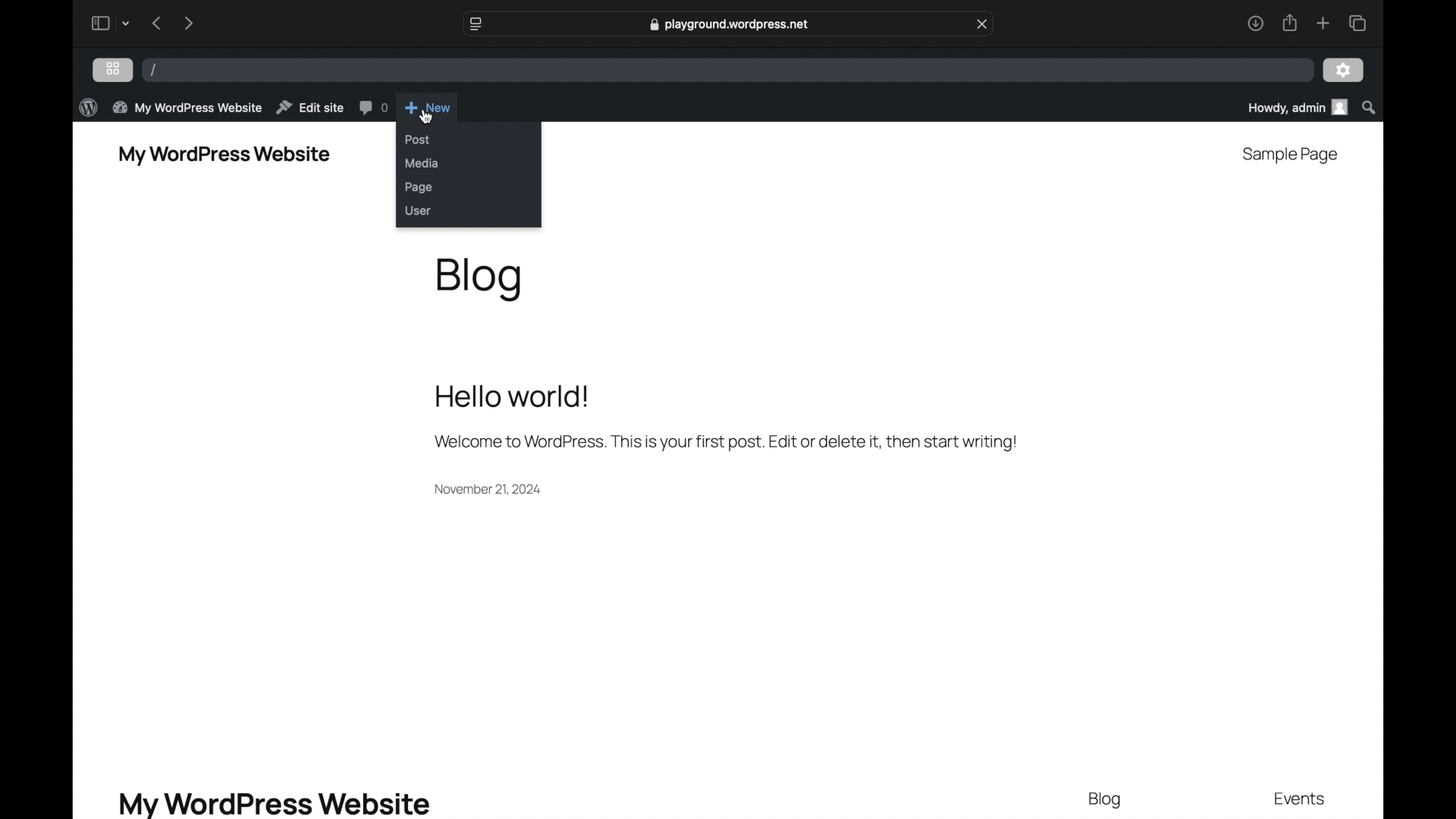  I want to click on share, so click(1288, 24).